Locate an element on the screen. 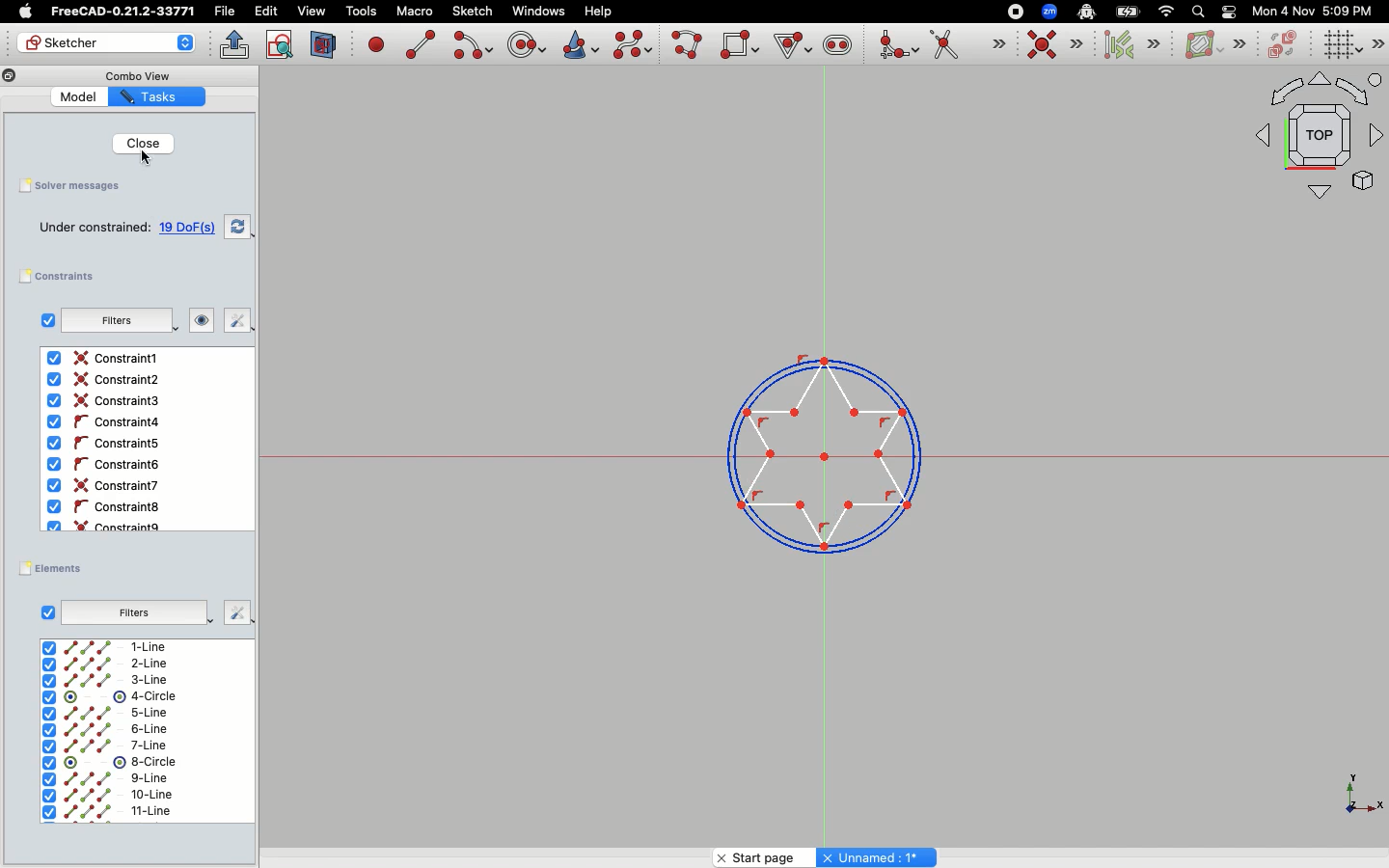 The width and height of the screenshot is (1389, 868). Constraint5 is located at coordinates (103, 444).